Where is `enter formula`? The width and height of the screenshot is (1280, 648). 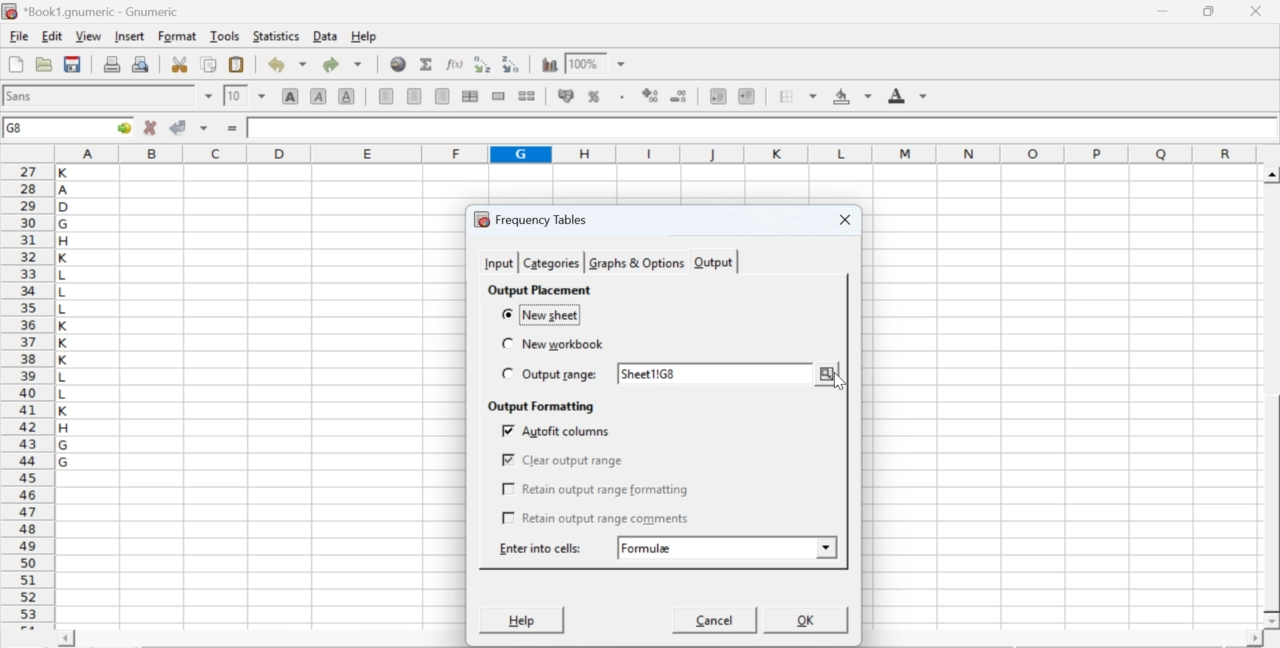
enter formula is located at coordinates (234, 129).